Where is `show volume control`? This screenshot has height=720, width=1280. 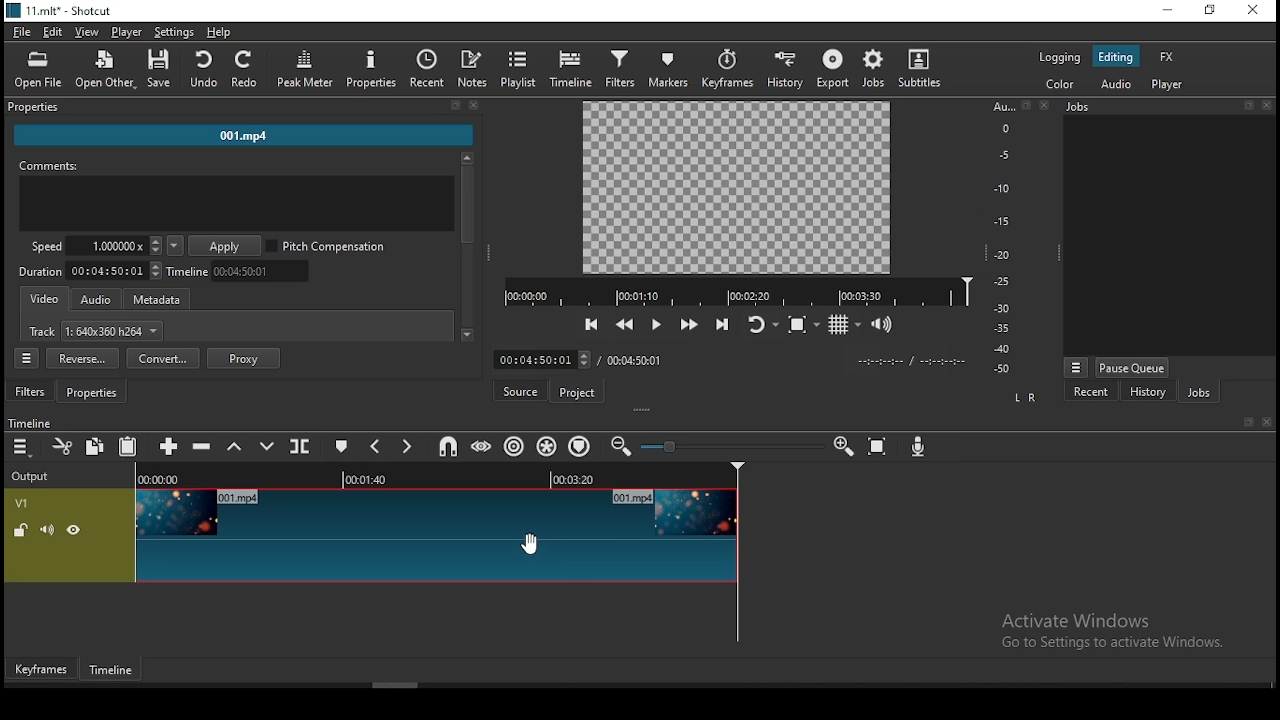
show volume control is located at coordinates (884, 321).